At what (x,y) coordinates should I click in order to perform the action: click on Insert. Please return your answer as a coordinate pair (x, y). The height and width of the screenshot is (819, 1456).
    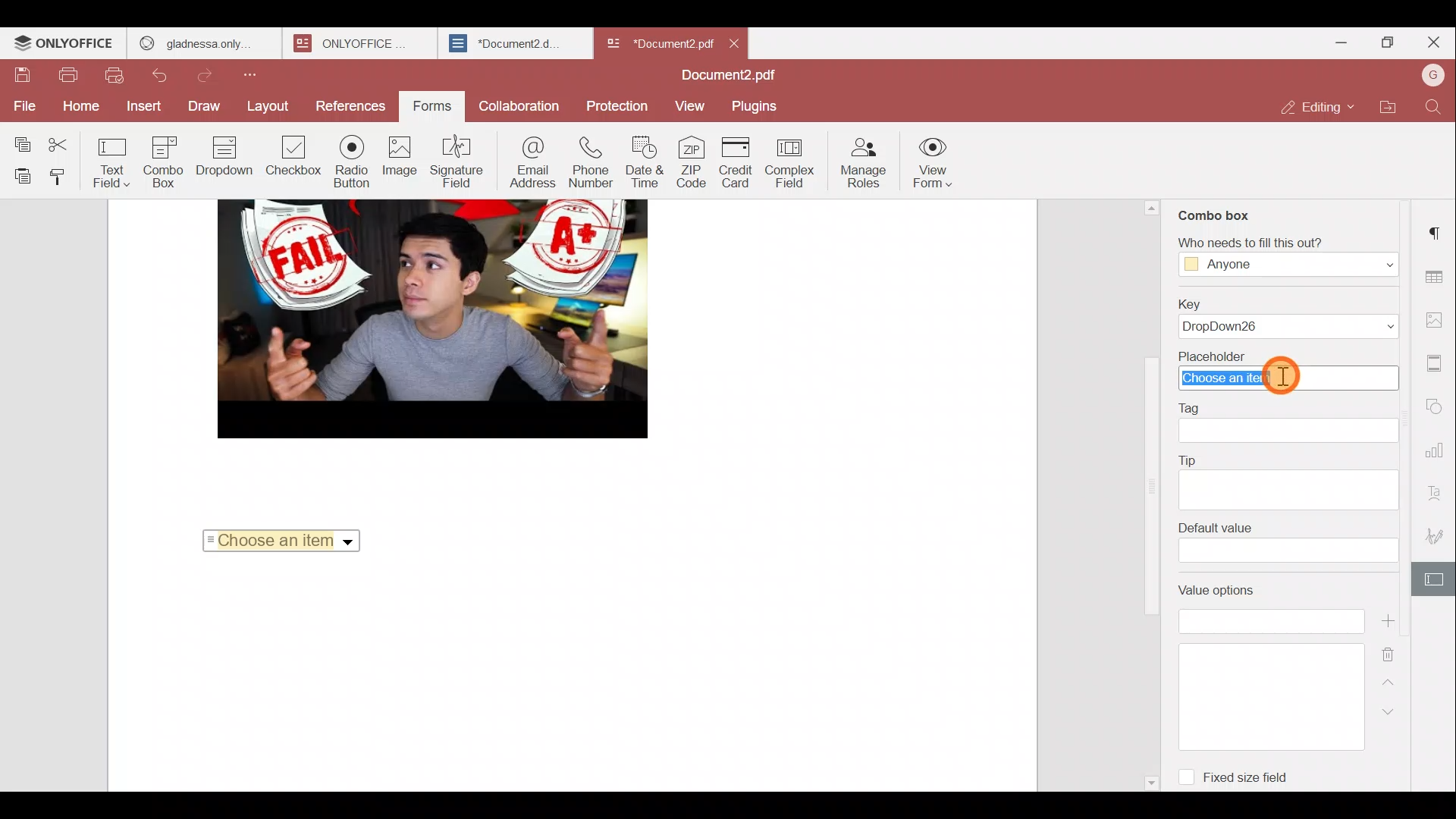
    Looking at the image, I should click on (140, 106).